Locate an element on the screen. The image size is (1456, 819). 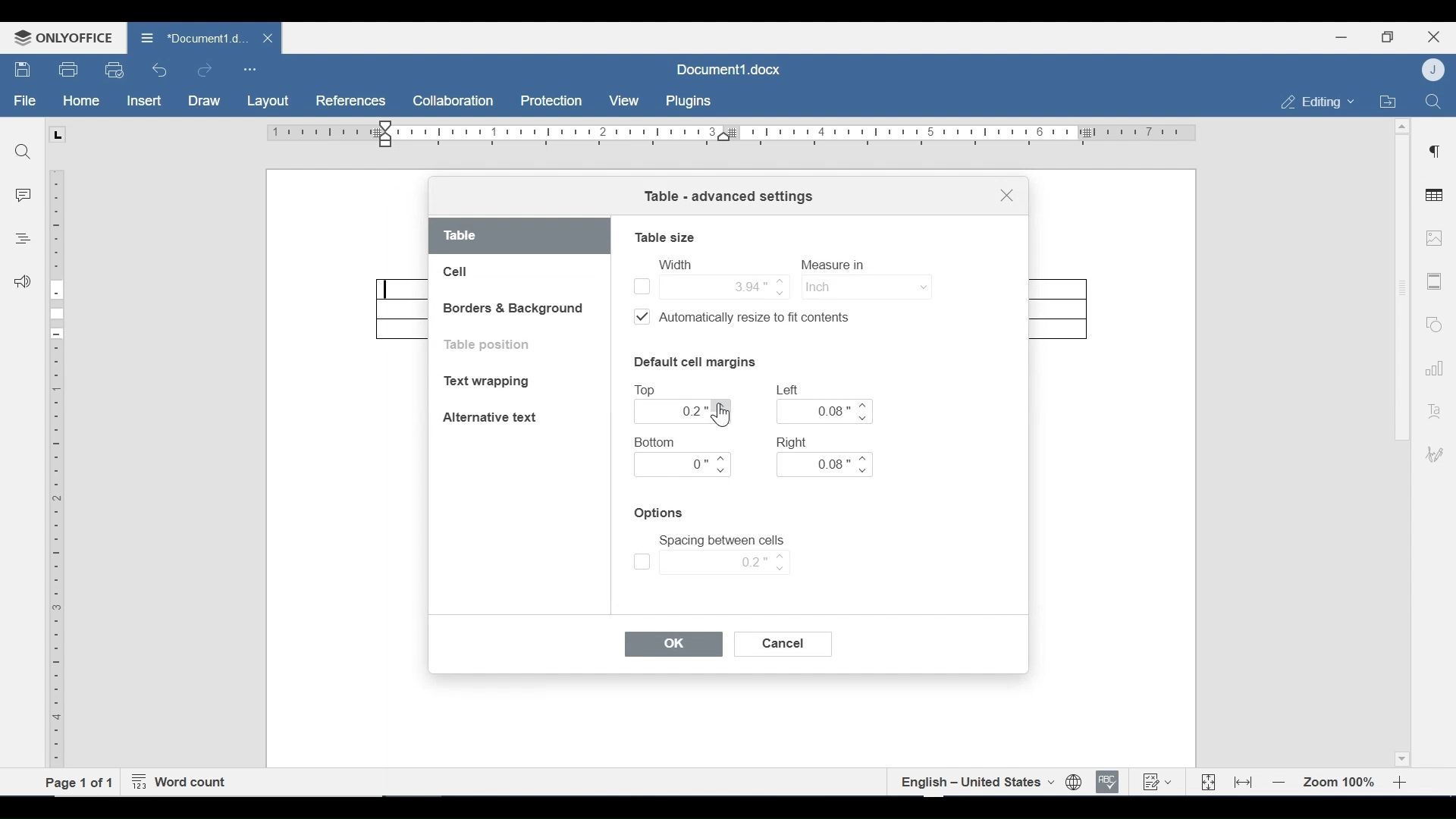
minimize is located at coordinates (1341, 36).